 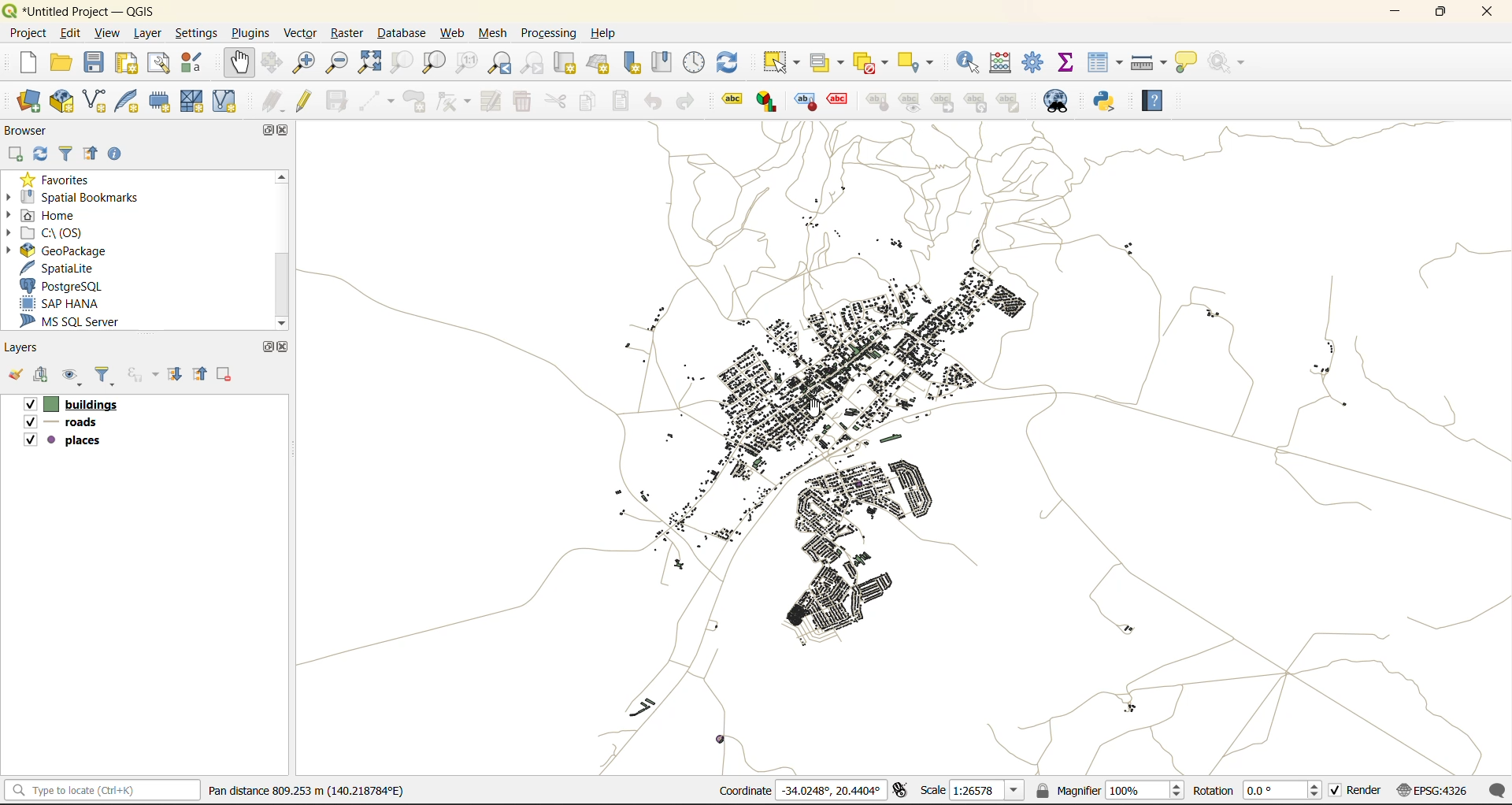 What do you see at coordinates (913, 102) in the screenshot?
I see `Preview` at bounding box center [913, 102].